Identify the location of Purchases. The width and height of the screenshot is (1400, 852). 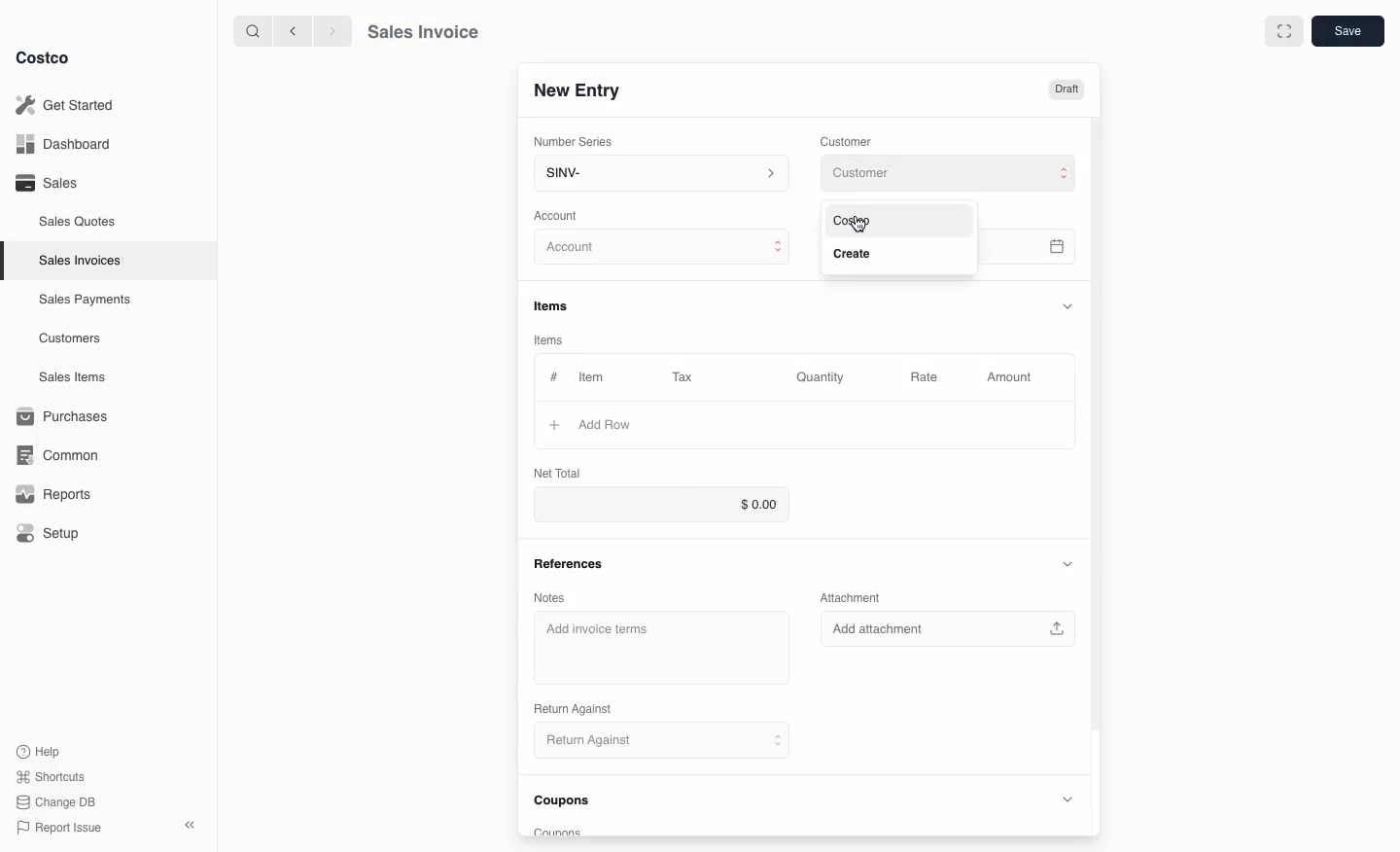
(63, 416).